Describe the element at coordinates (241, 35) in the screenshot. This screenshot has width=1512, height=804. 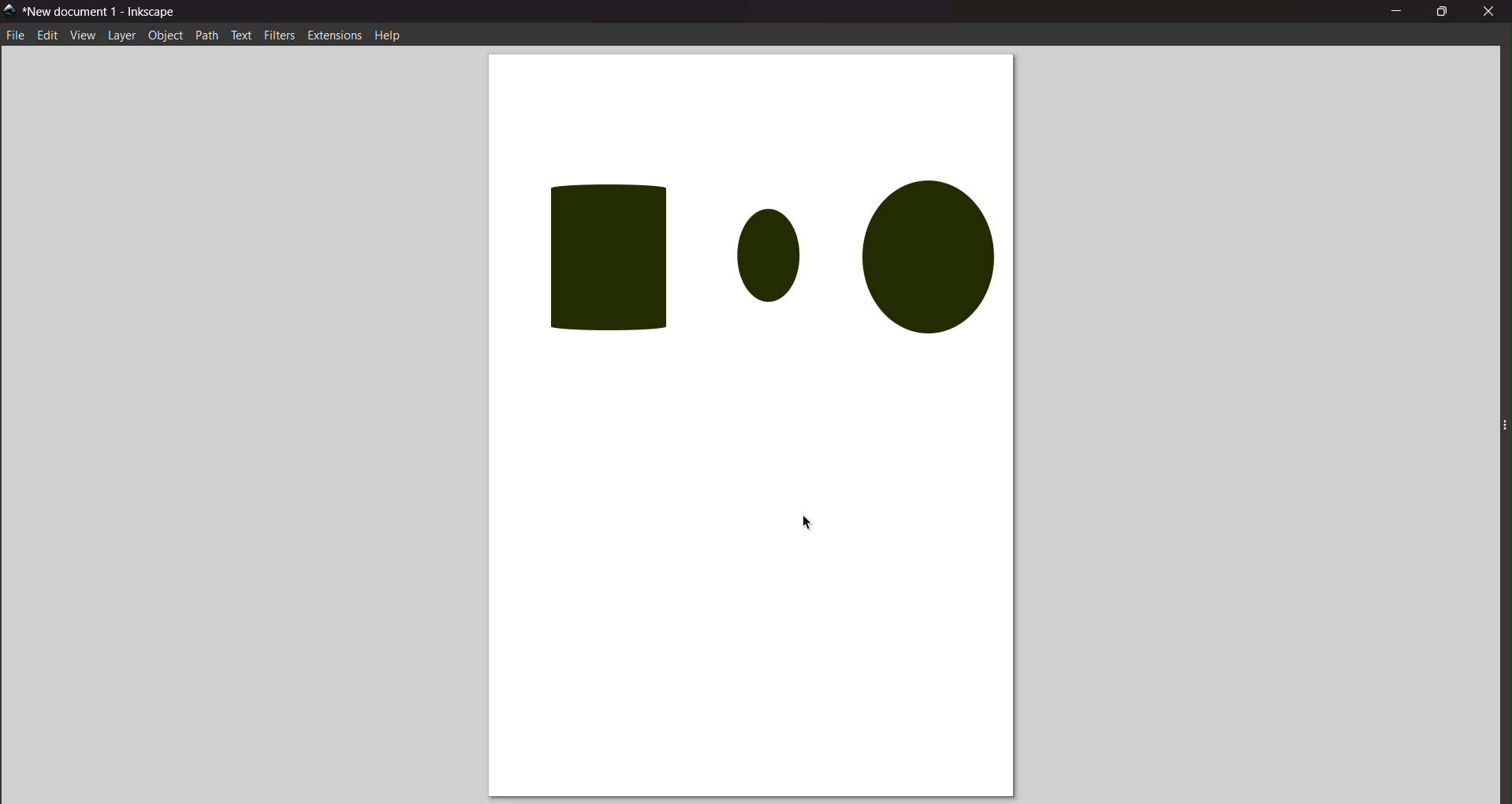
I see `text` at that location.